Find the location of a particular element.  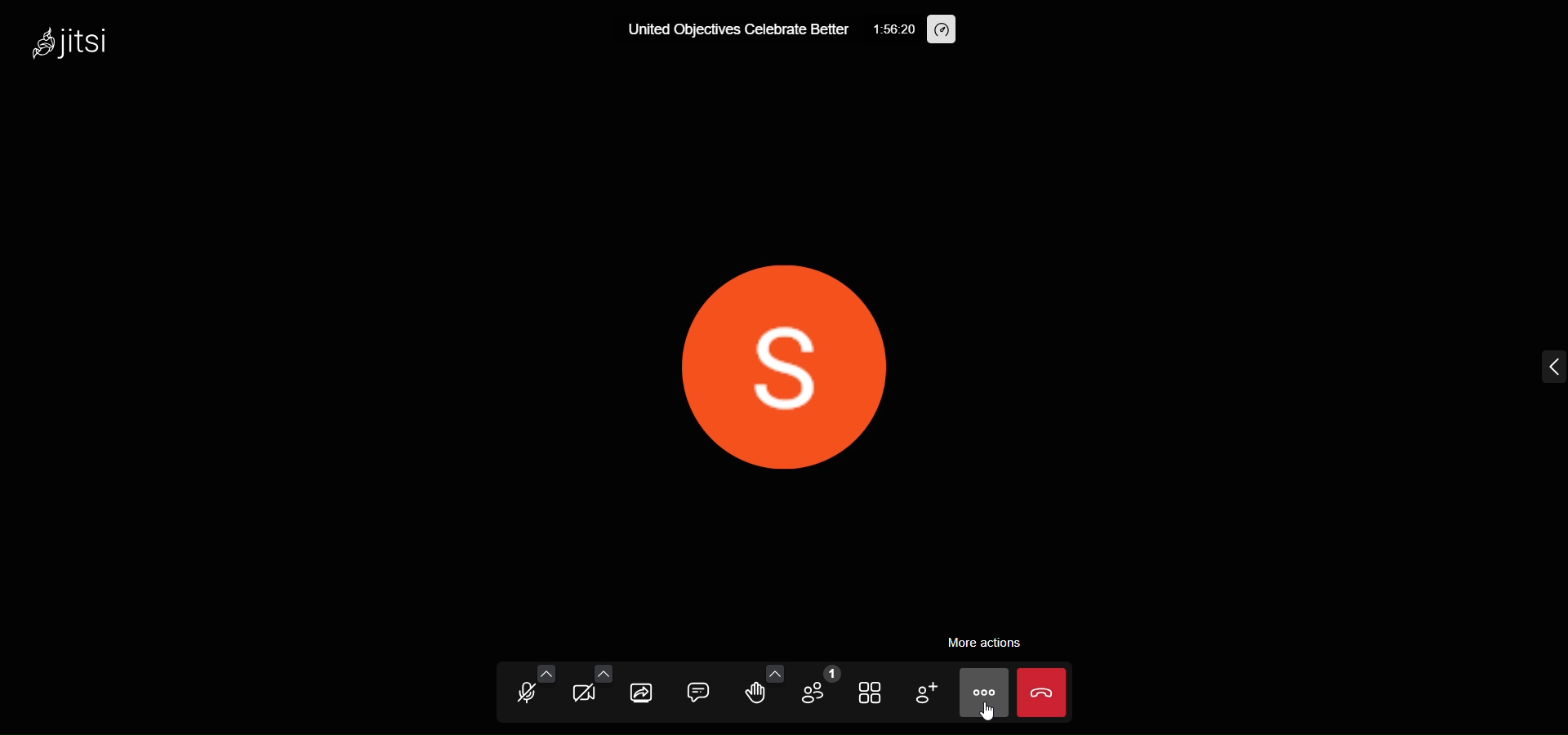

more is located at coordinates (983, 693).